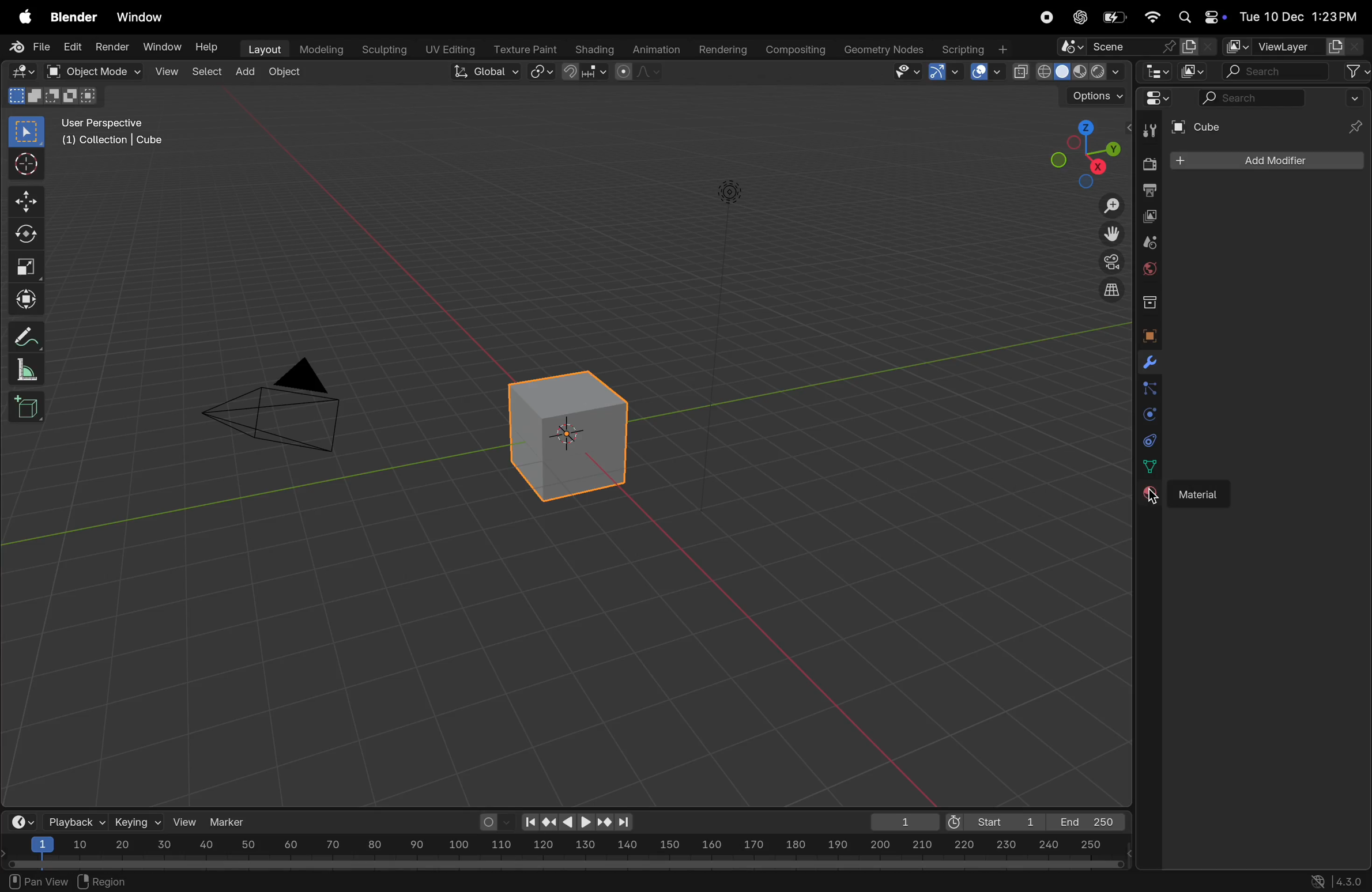 This screenshot has height=892, width=1372. What do you see at coordinates (1352, 114) in the screenshot?
I see `pin` at bounding box center [1352, 114].